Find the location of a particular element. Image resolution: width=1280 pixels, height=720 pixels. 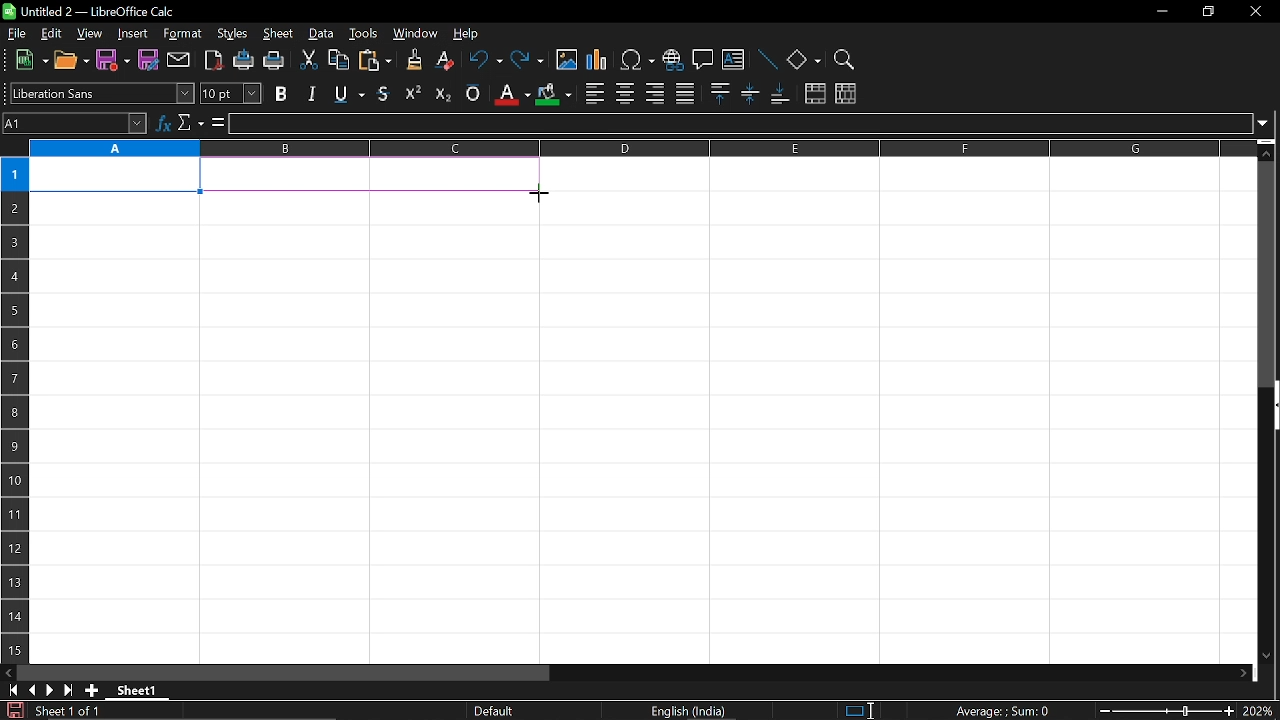

Default is located at coordinates (497, 711).